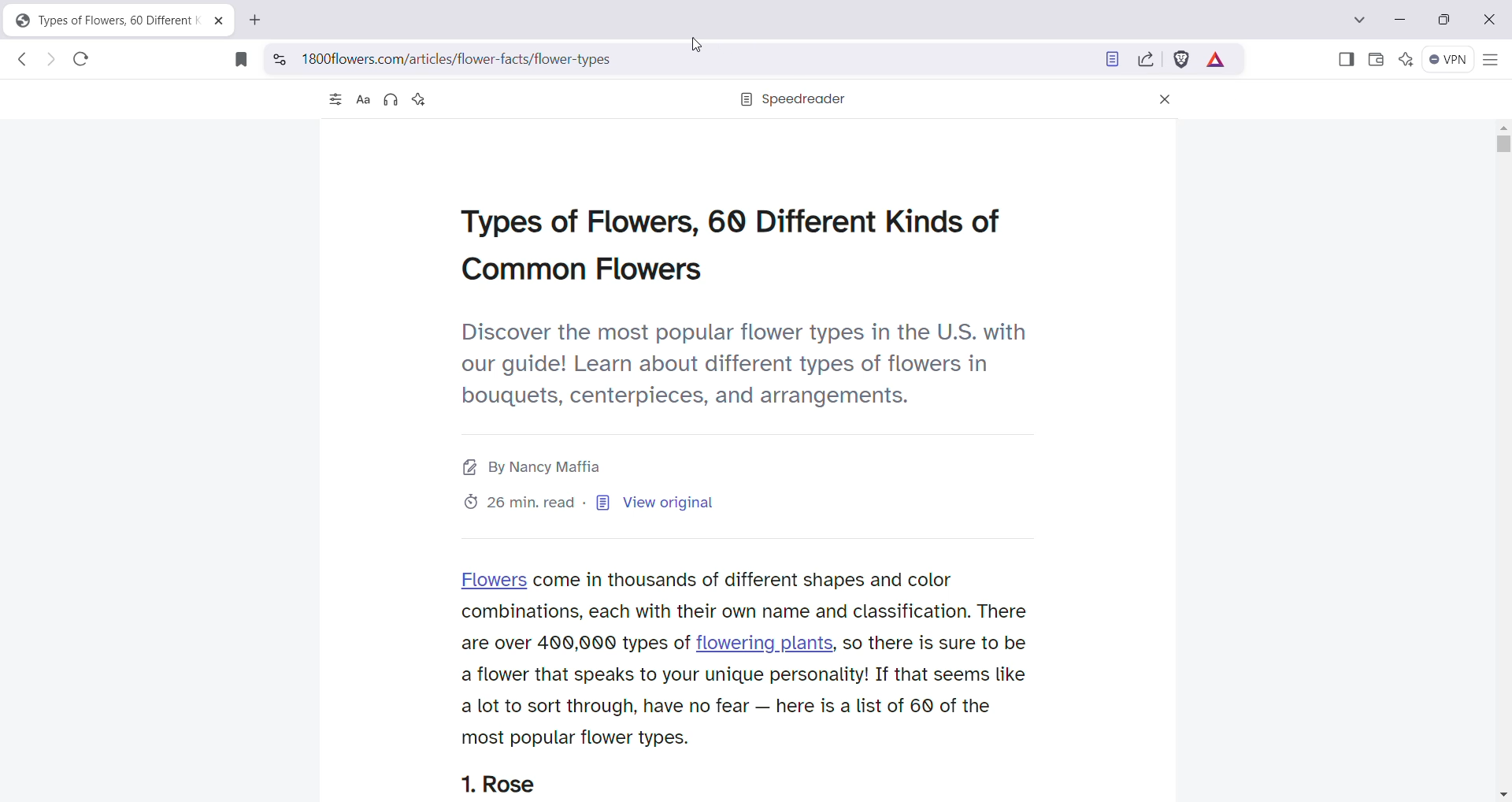 This screenshot has width=1512, height=802. What do you see at coordinates (82, 60) in the screenshot?
I see `Reload this page` at bounding box center [82, 60].